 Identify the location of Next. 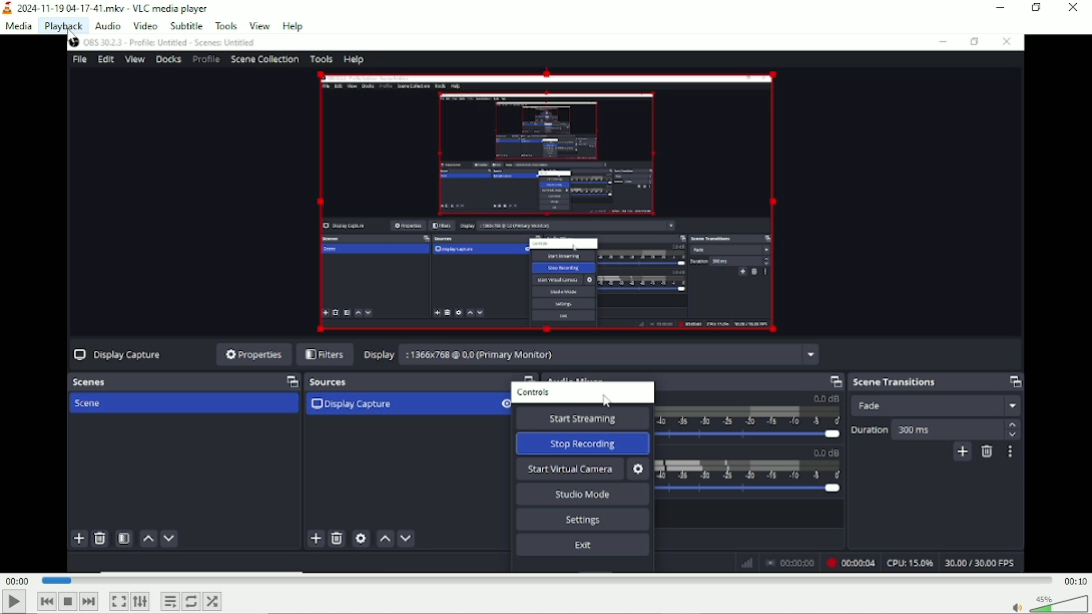
(89, 601).